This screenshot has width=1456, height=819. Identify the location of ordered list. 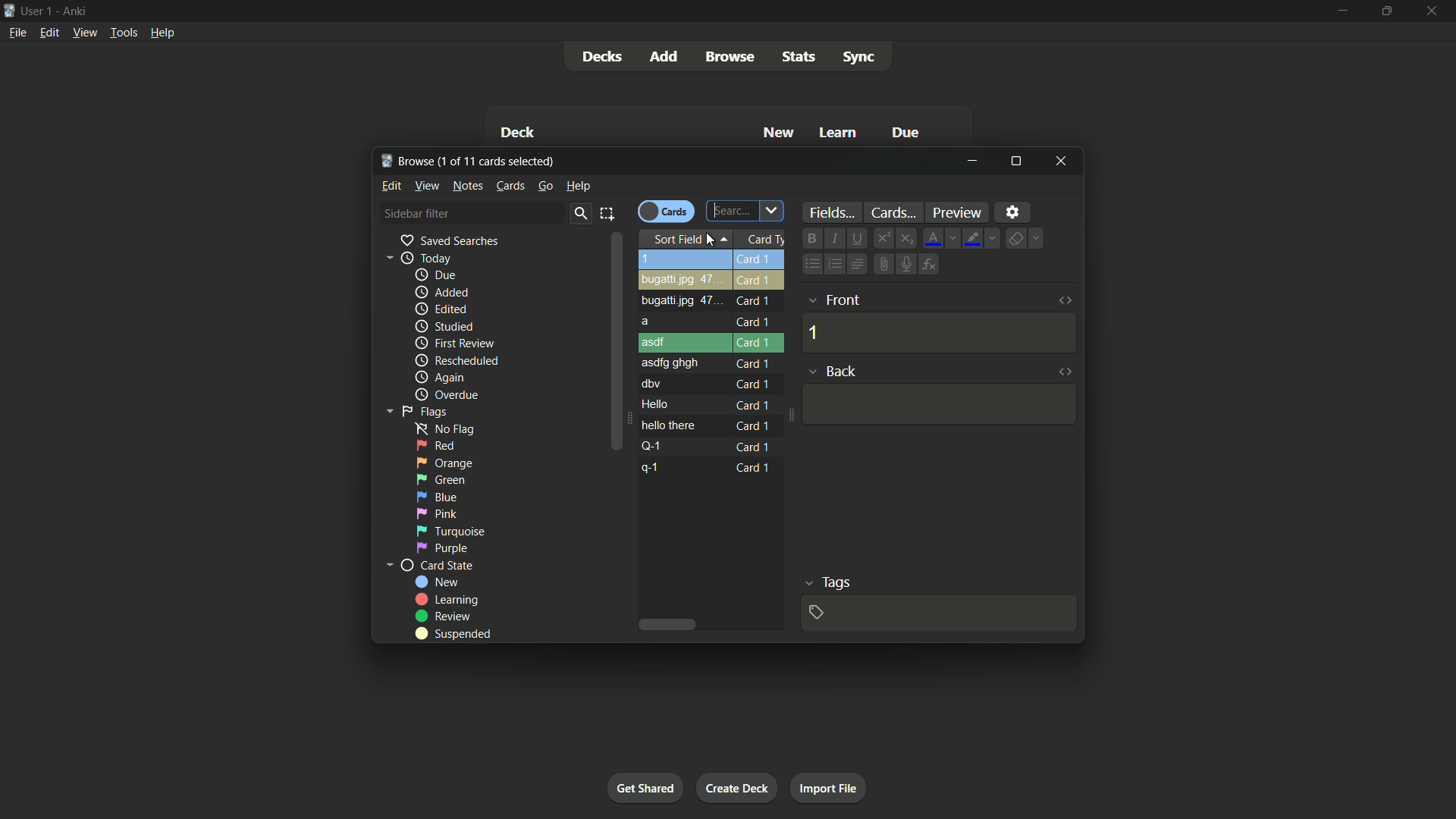
(831, 264).